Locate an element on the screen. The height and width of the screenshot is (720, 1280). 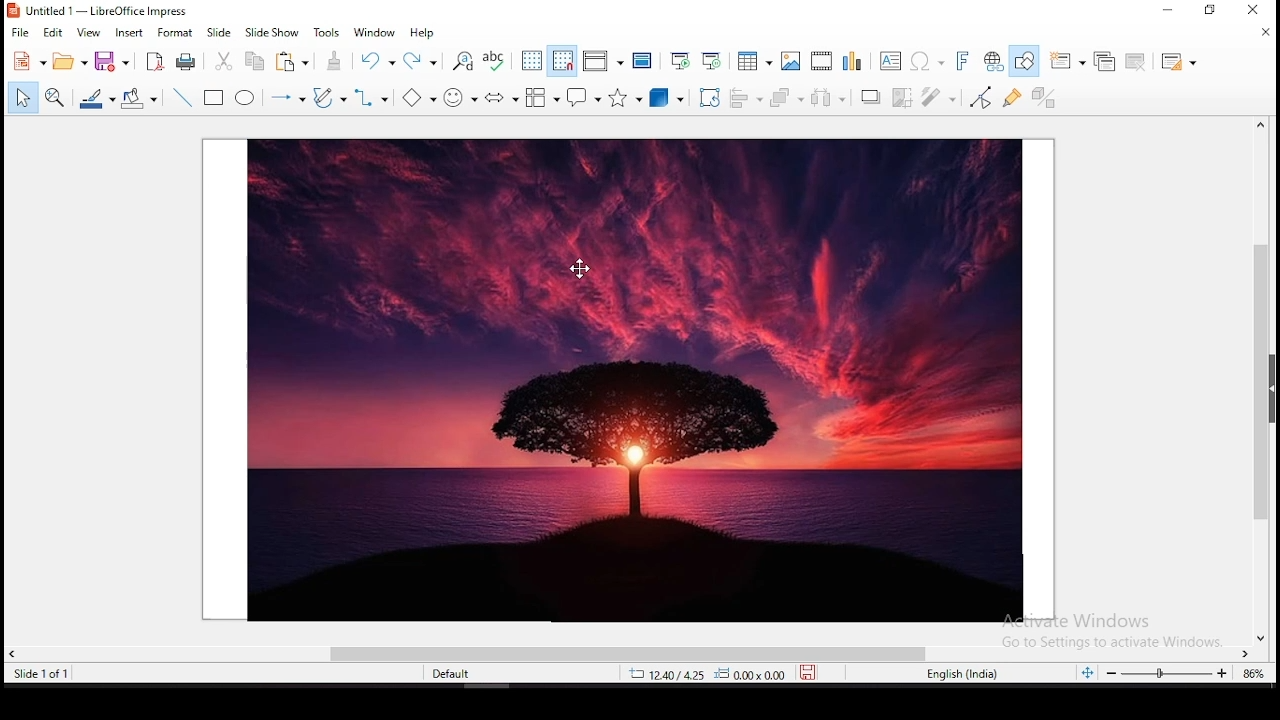
 slide layout is located at coordinates (1178, 62).